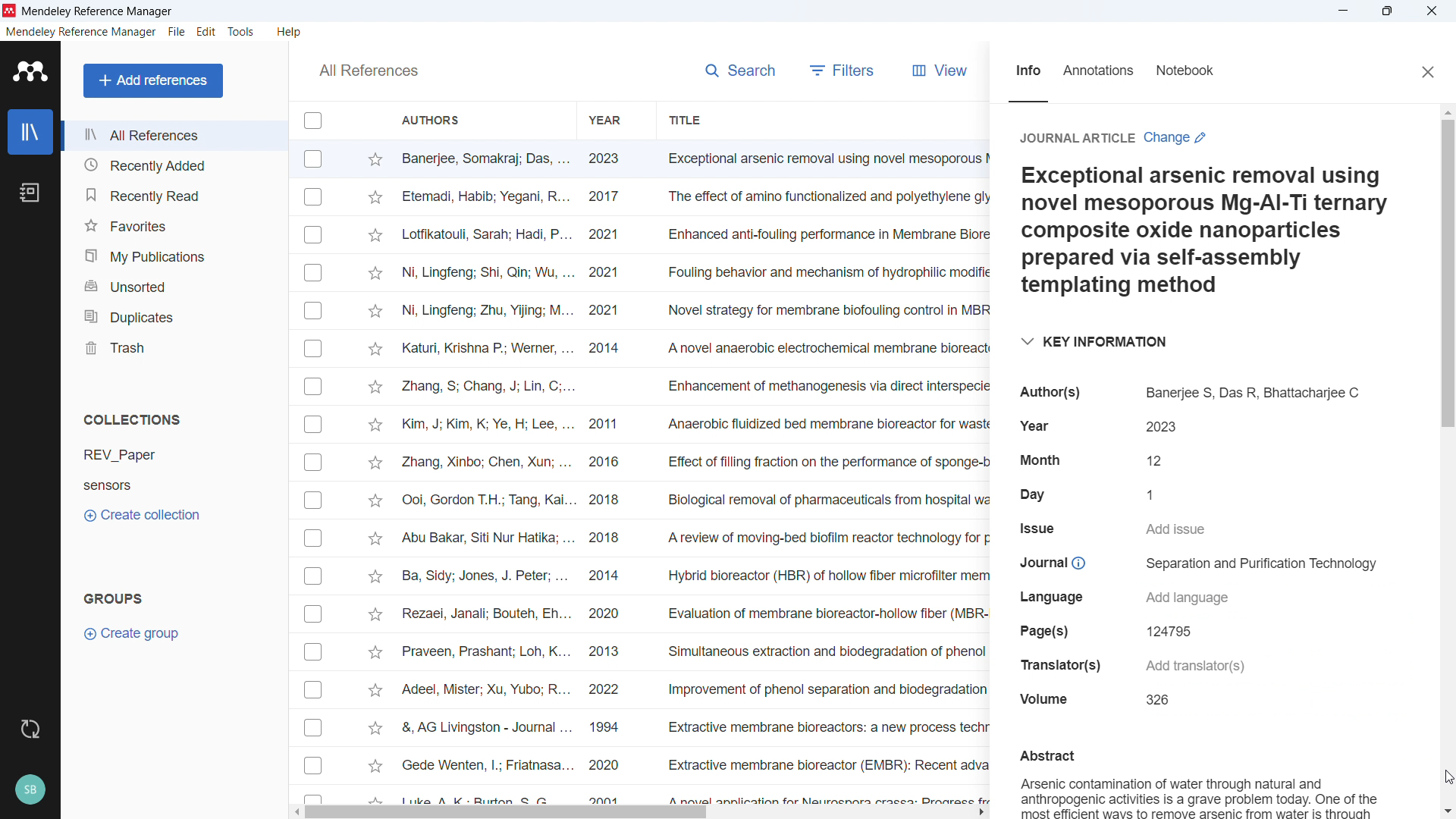 The image size is (1456, 819). Describe the element at coordinates (374, 275) in the screenshot. I see `click to starmark individual entries` at that location.